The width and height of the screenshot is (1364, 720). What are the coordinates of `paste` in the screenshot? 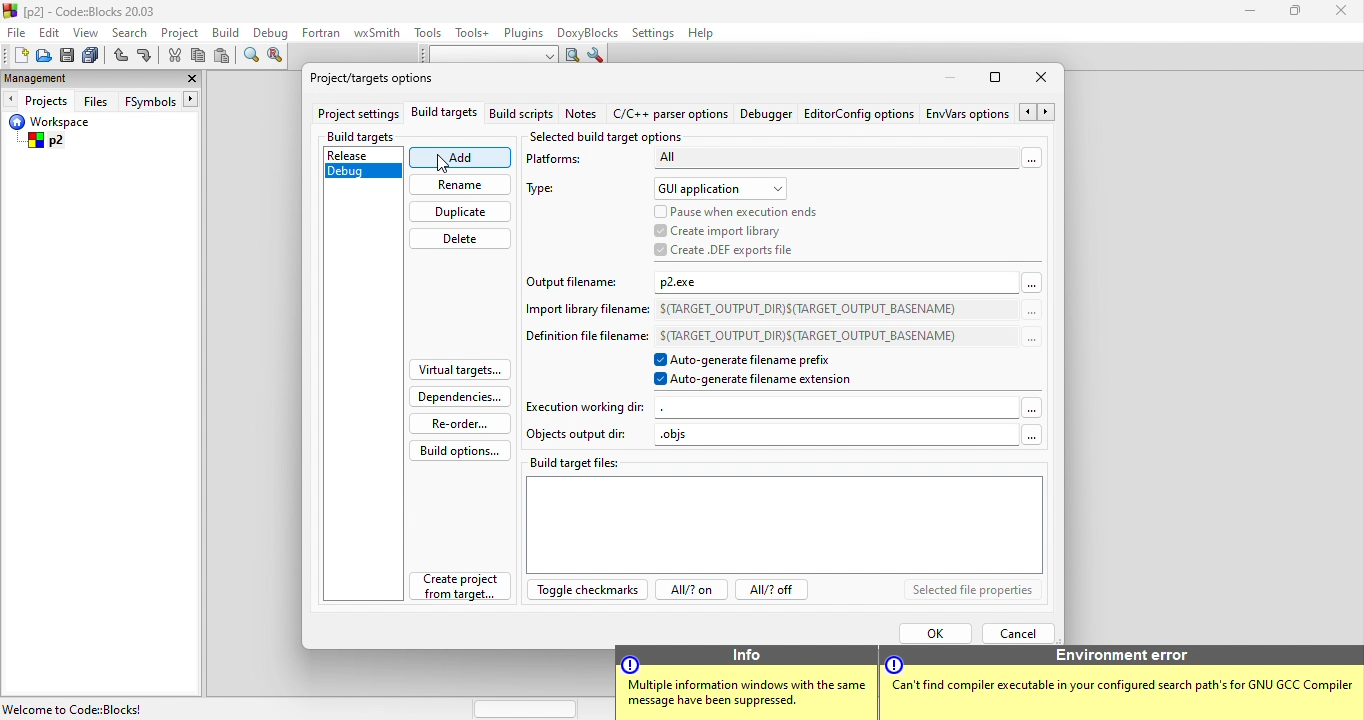 It's located at (225, 56).